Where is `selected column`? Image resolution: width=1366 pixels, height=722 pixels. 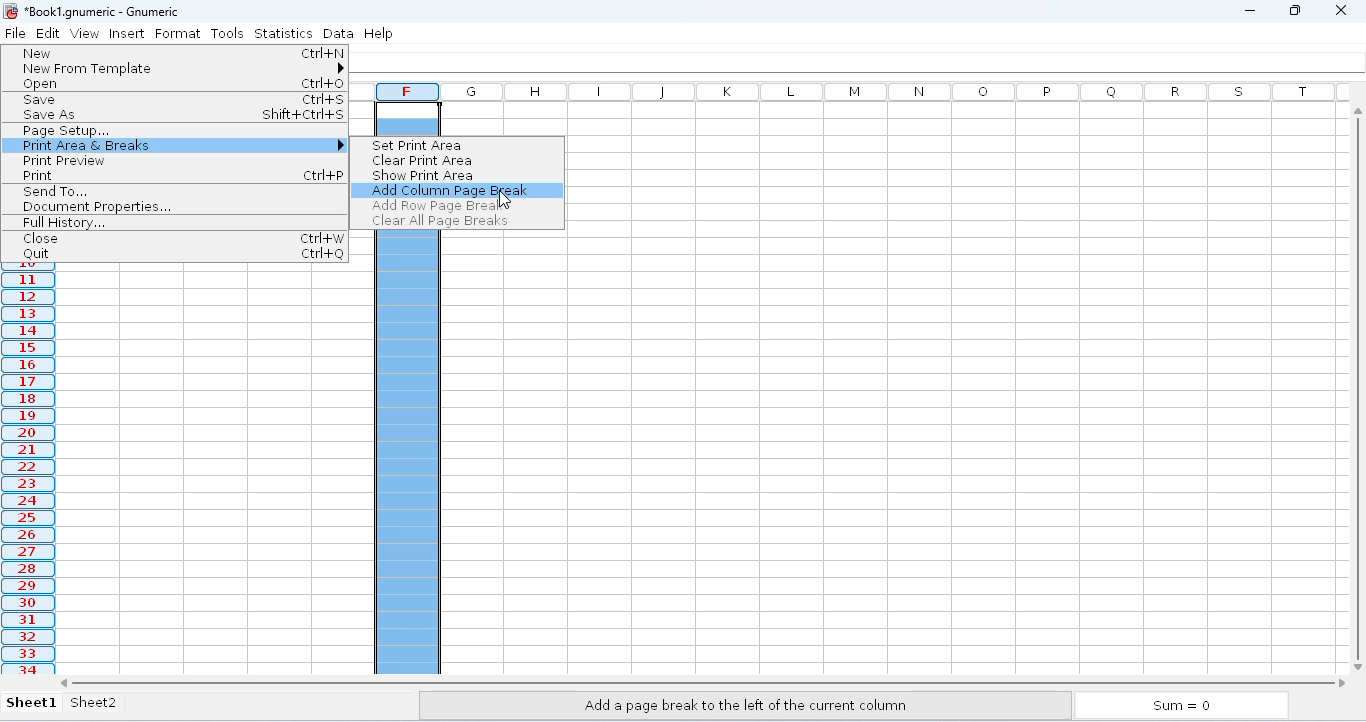 selected column is located at coordinates (30, 474).